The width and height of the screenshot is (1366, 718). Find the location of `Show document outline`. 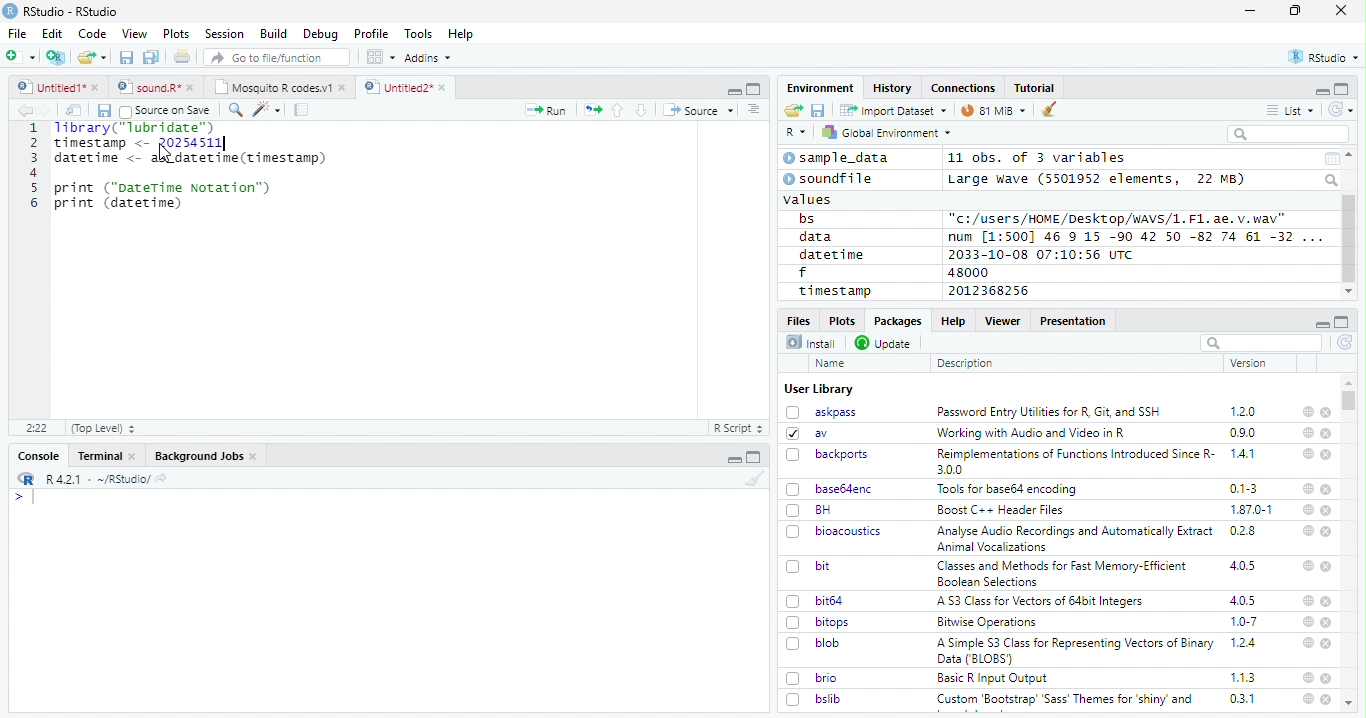

Show document outline is located at coordinates (752, 109).